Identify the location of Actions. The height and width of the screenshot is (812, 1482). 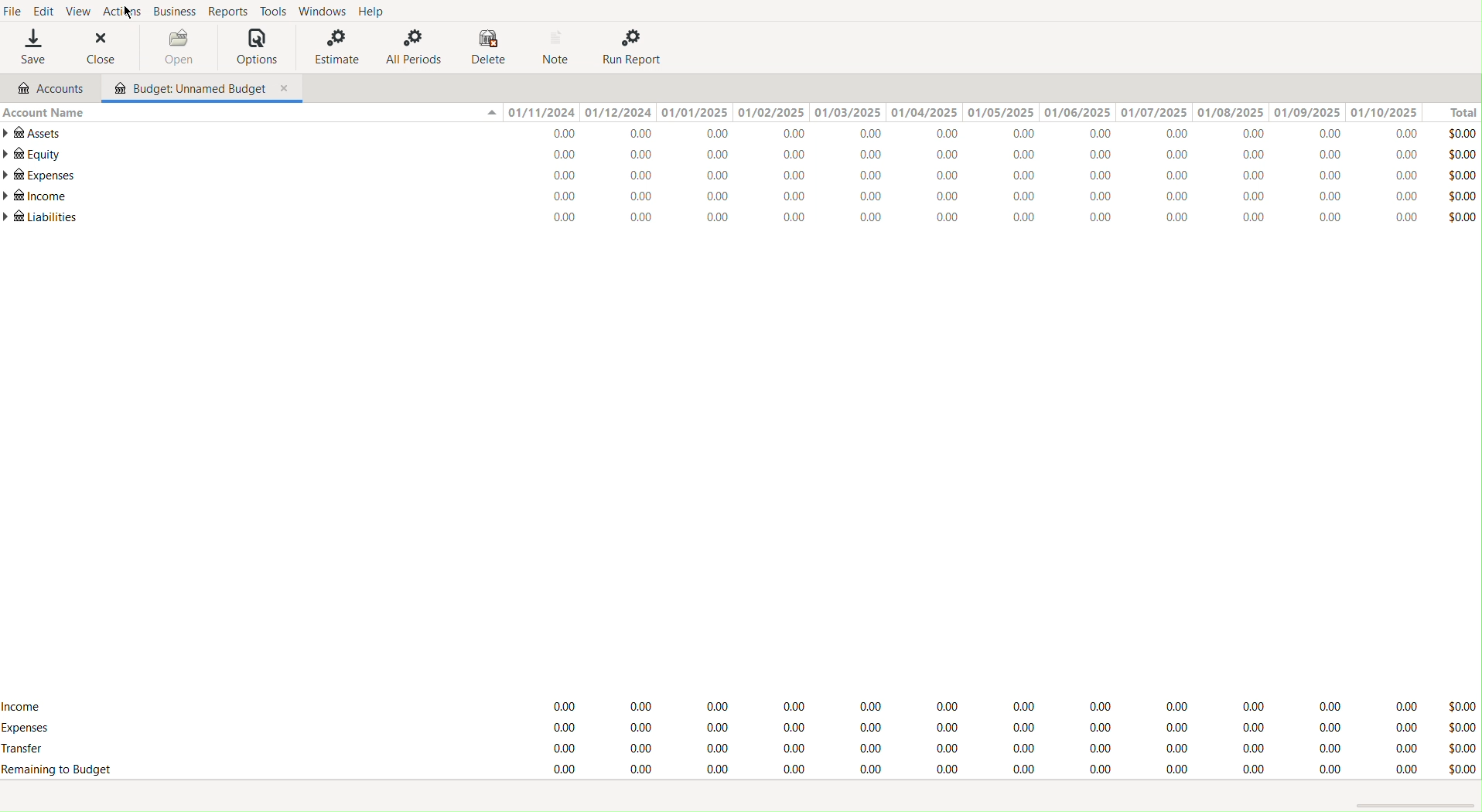
(125, 12).